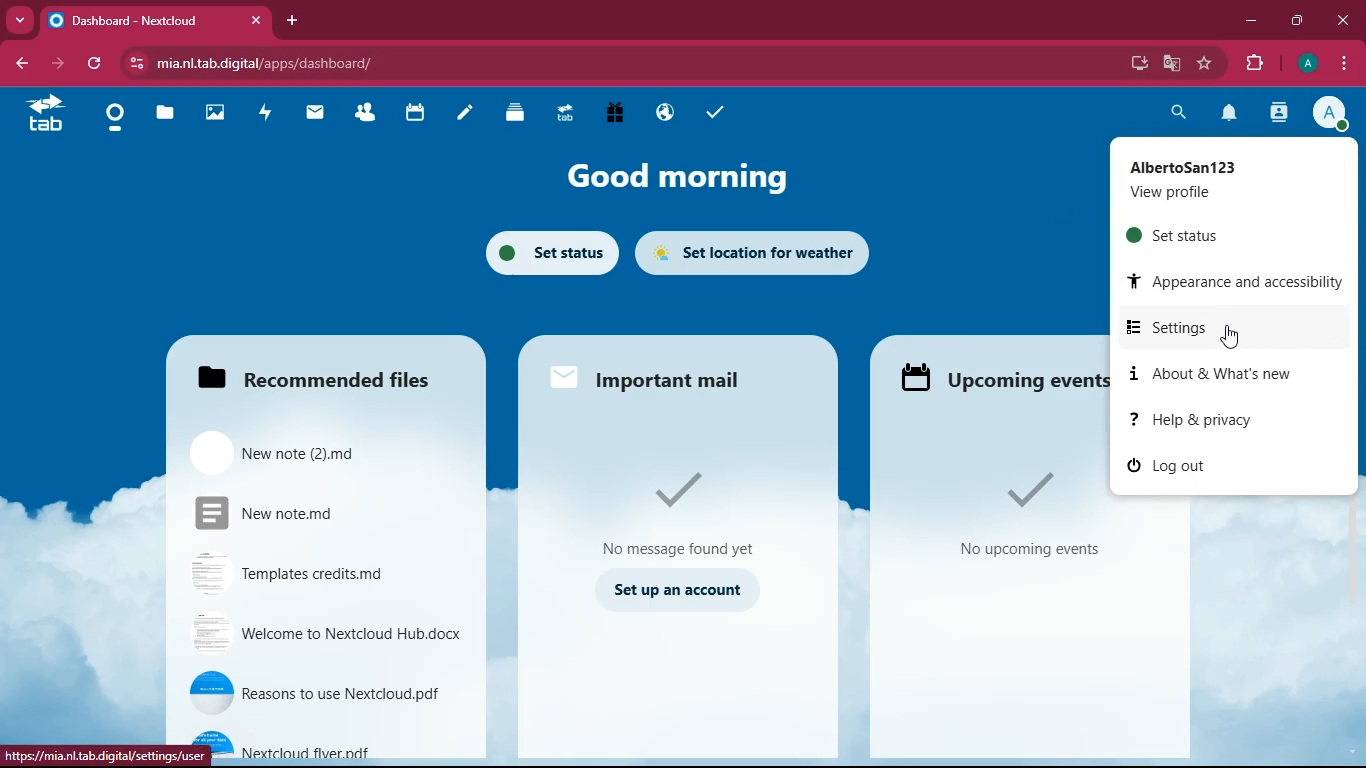 The height and width of the screenshot is (768, 1366). What do you see at coordinates (368, 114) in the screenshot?
I see `Contacts` at bounding box center [368, 114].